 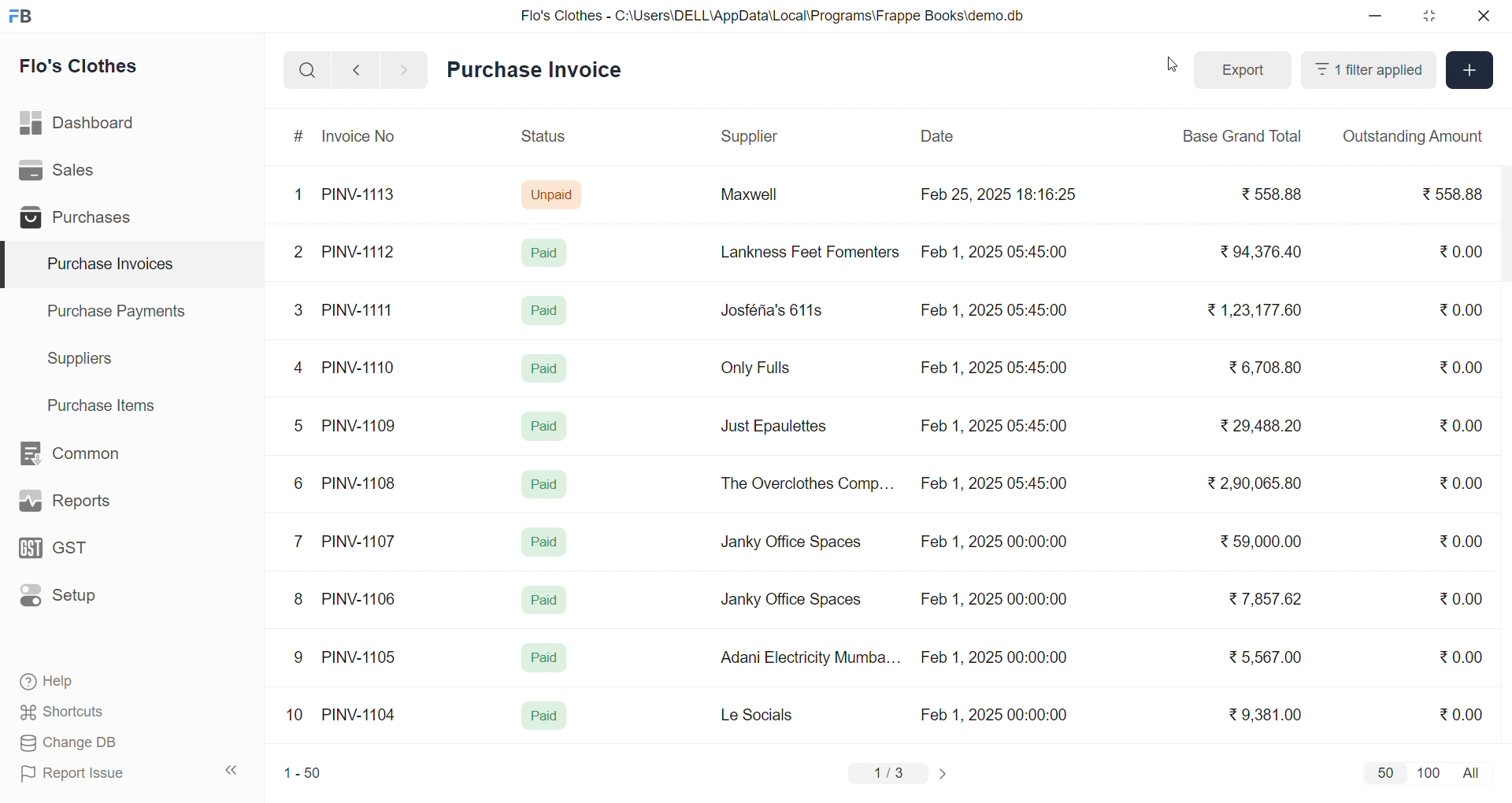 I want to click on ₹ 59,000.00, so click(x=1266, y=543).